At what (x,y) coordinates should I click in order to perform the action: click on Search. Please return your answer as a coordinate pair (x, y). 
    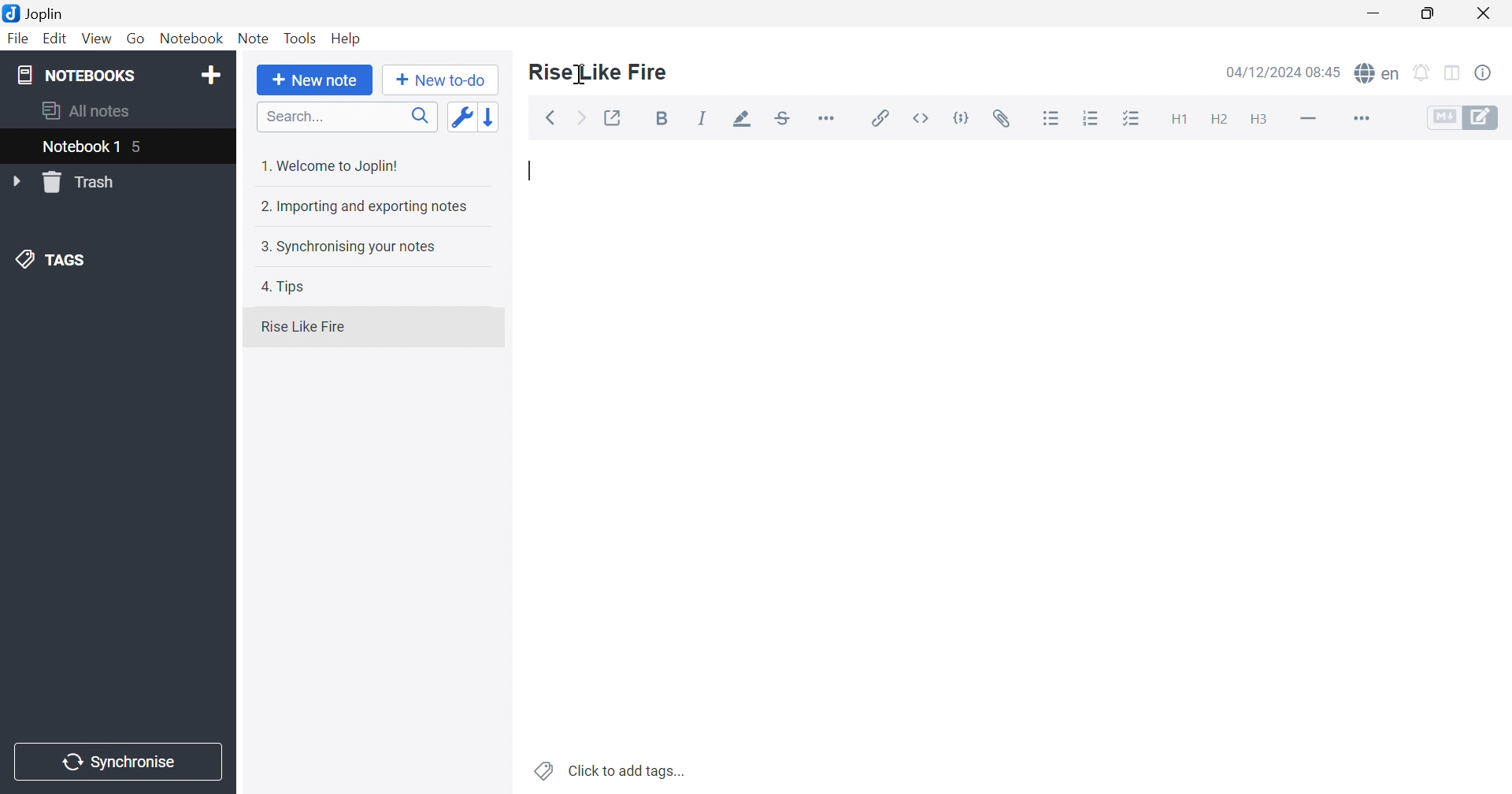
    Looking at the image, I should click on (349, 117).